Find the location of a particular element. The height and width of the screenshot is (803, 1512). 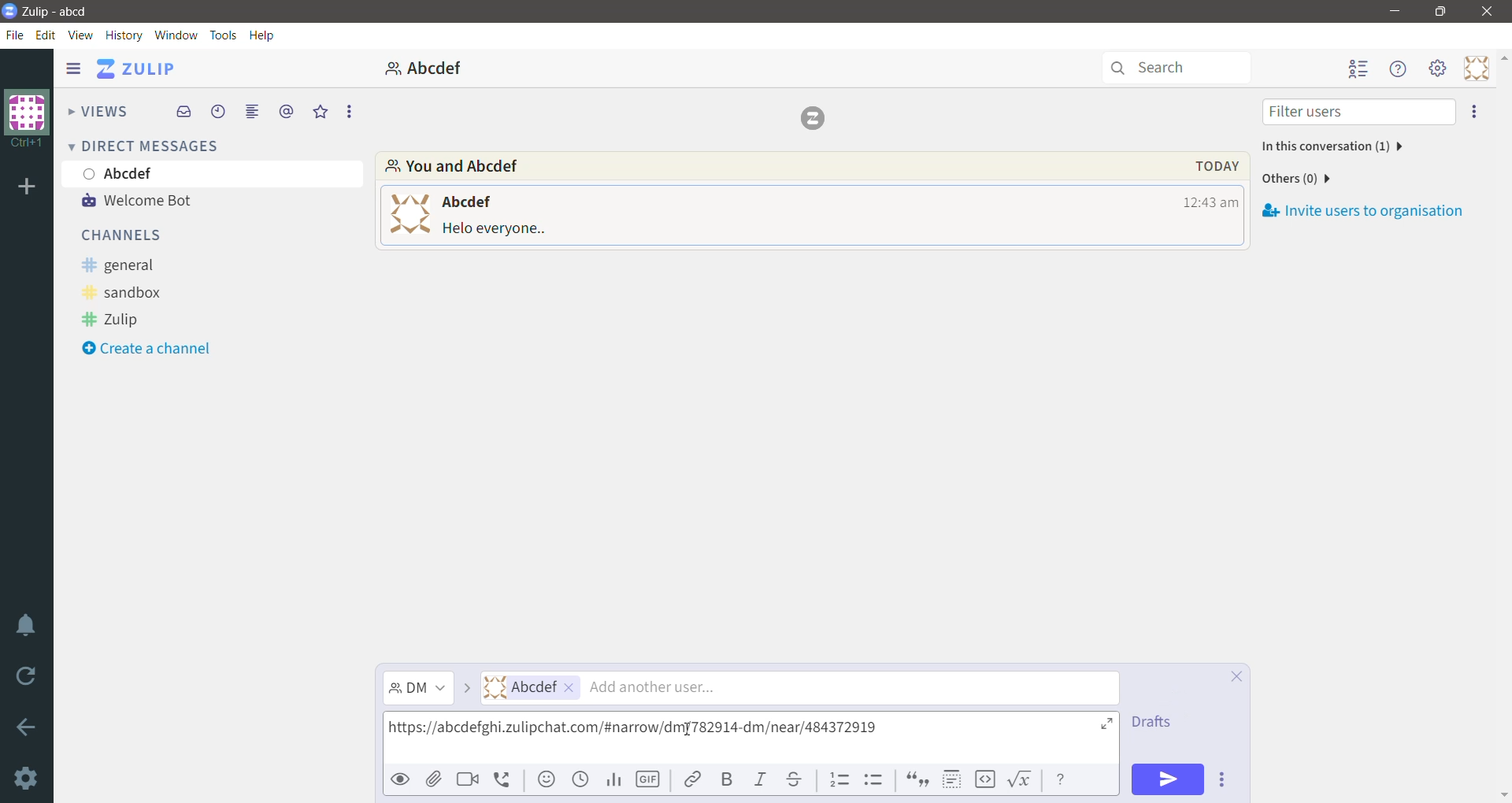

Zulip is located at coordinates (115, 319).